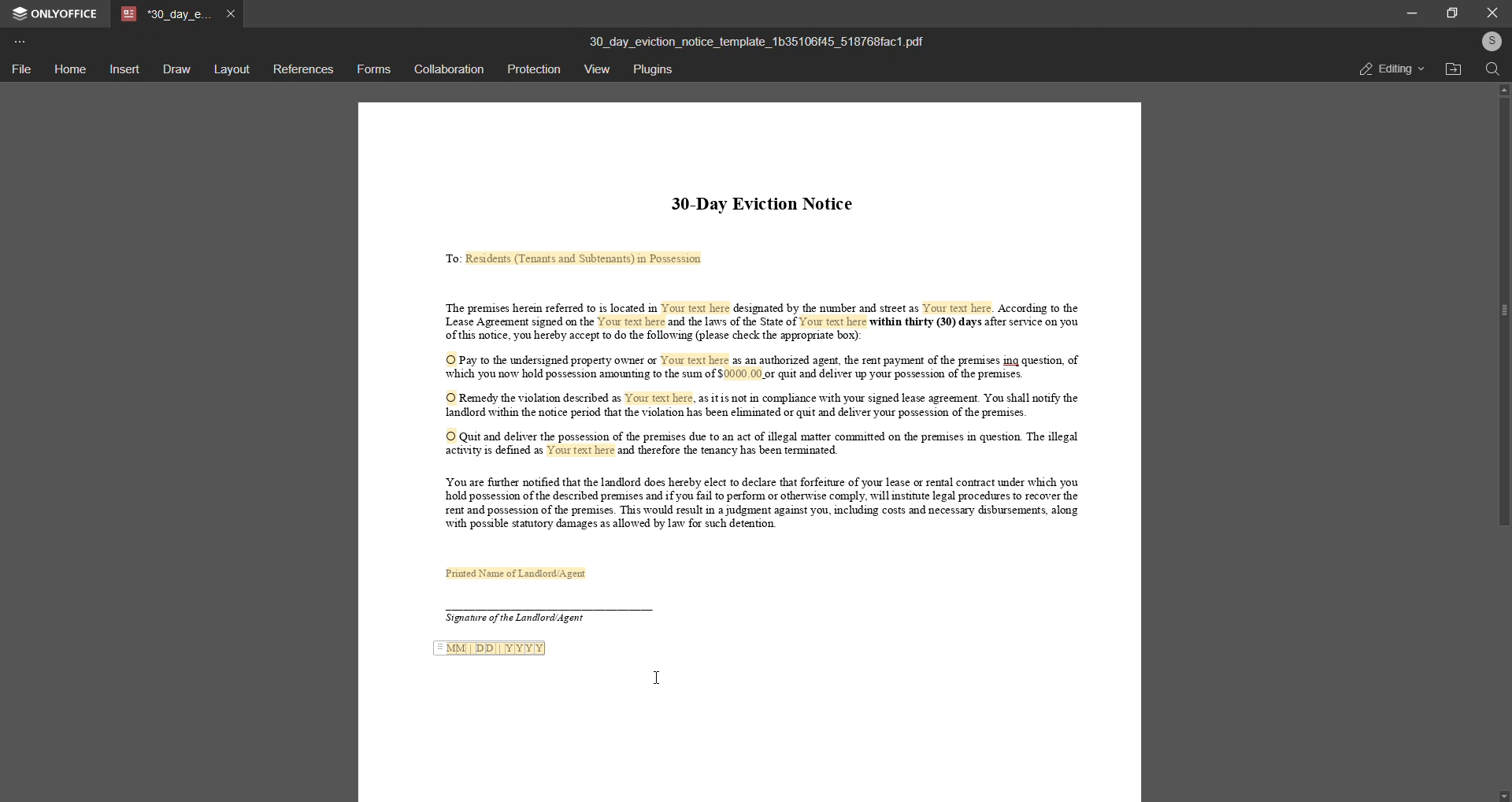 This screenshot has height=802, width=1512. Describe the element at coordinates (1499, 314) in the screenshot. I see `scroll bar` at that location.